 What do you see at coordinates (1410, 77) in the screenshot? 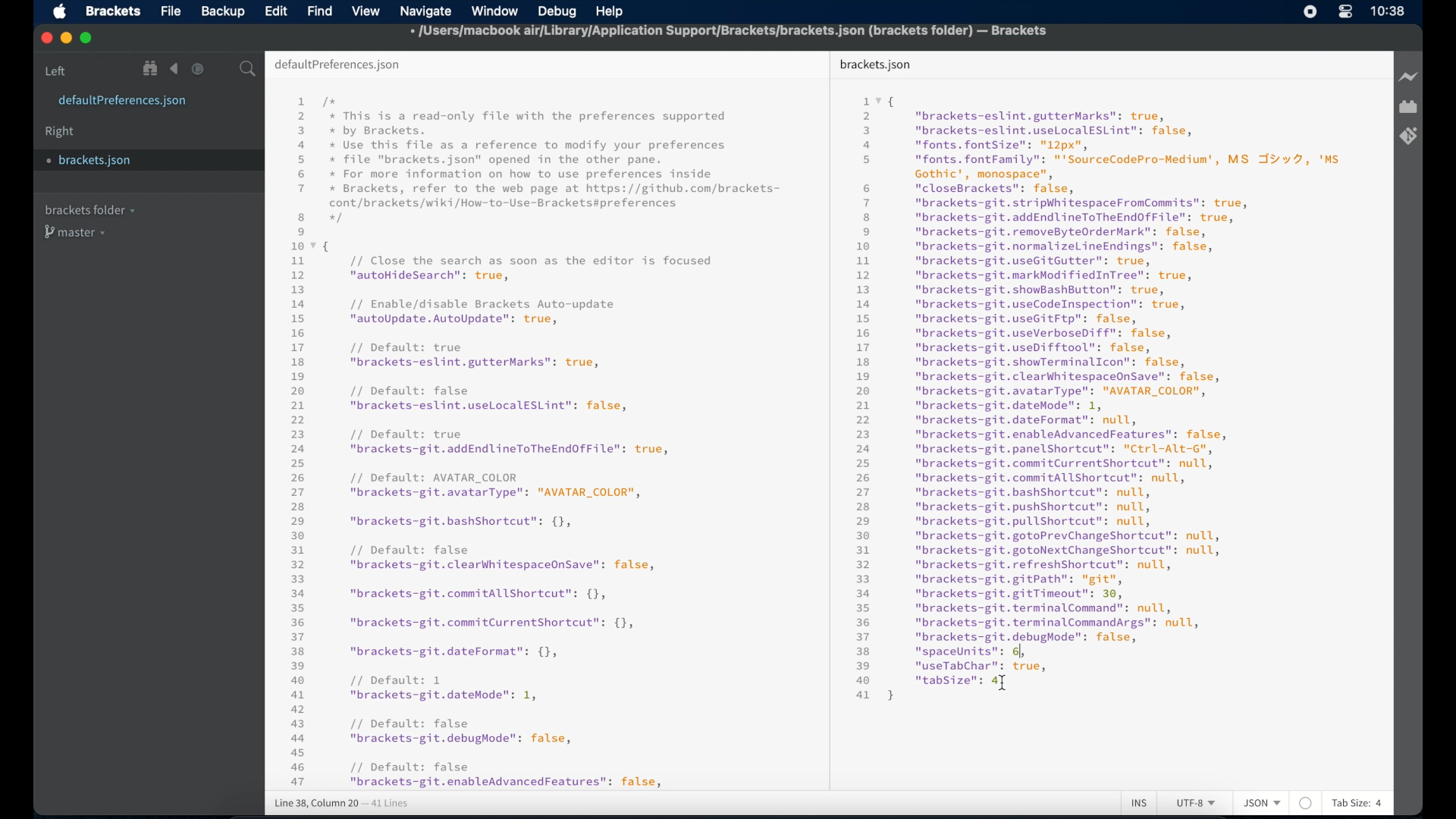
I see `live preview` at bounding box center [1410, 77].